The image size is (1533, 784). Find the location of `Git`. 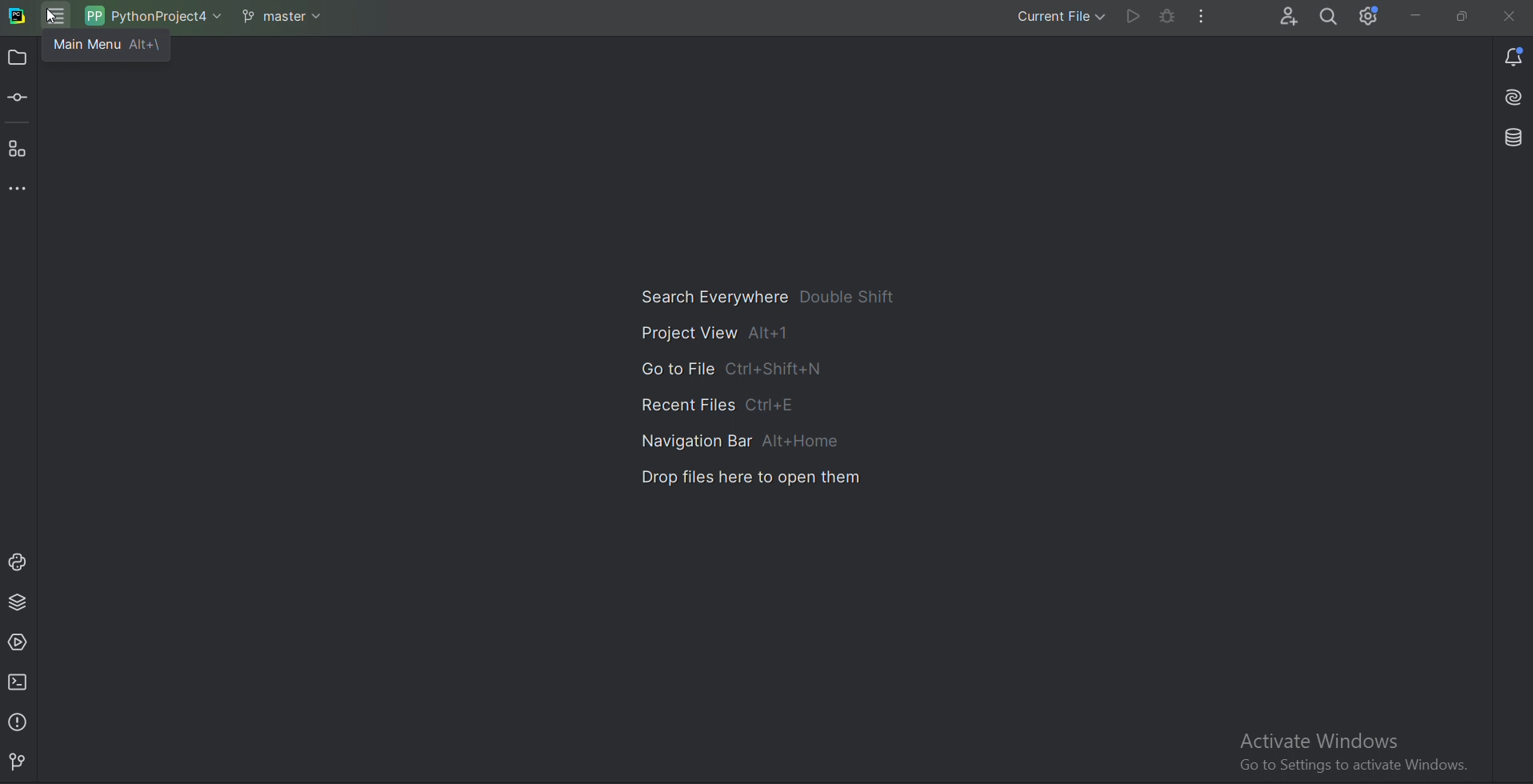

Git is located at coordinates (23, 760).